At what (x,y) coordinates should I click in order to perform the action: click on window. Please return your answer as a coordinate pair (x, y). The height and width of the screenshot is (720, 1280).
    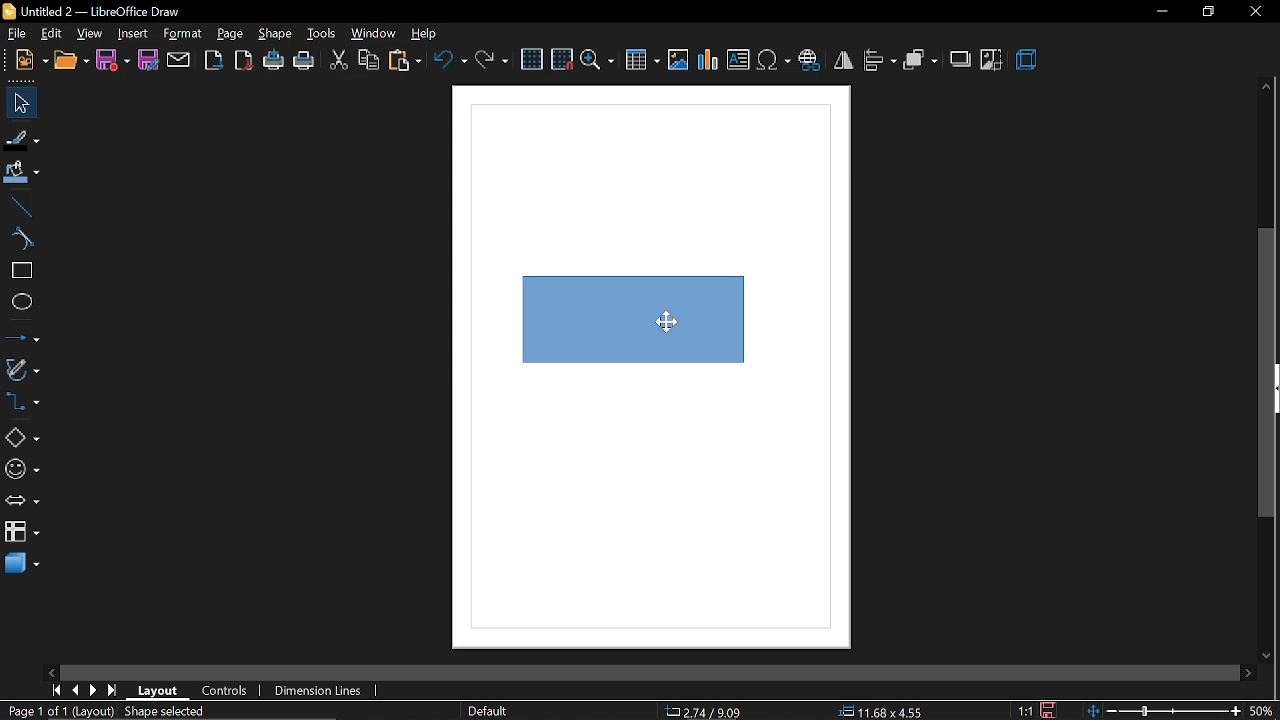
    Looking at the image, I should click on (375, 33).